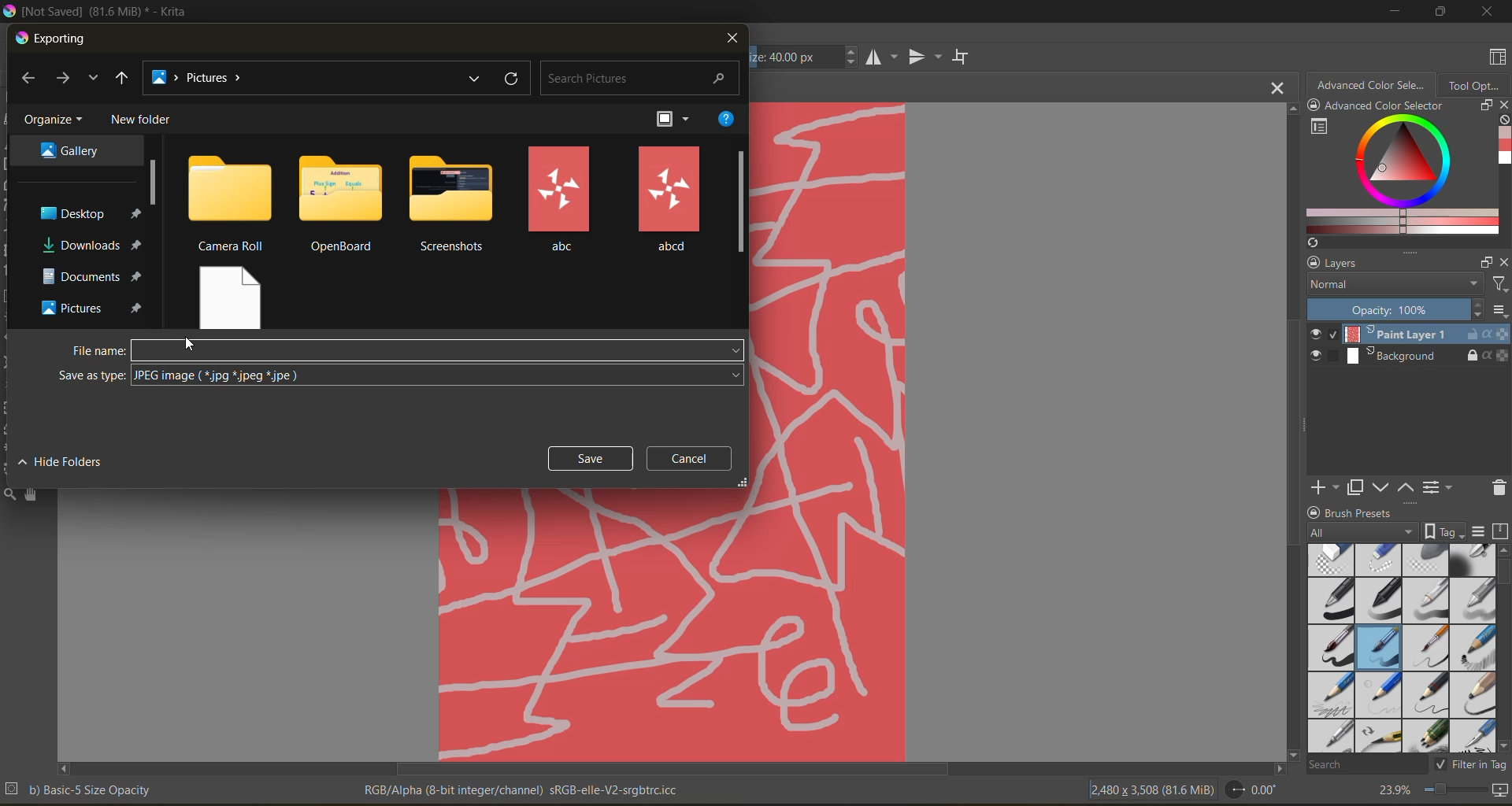 This screenshot has height=806, width=1512. Describe the element at coordinates (1310, 242) in the screenshot. I see `Refresh` at that location.